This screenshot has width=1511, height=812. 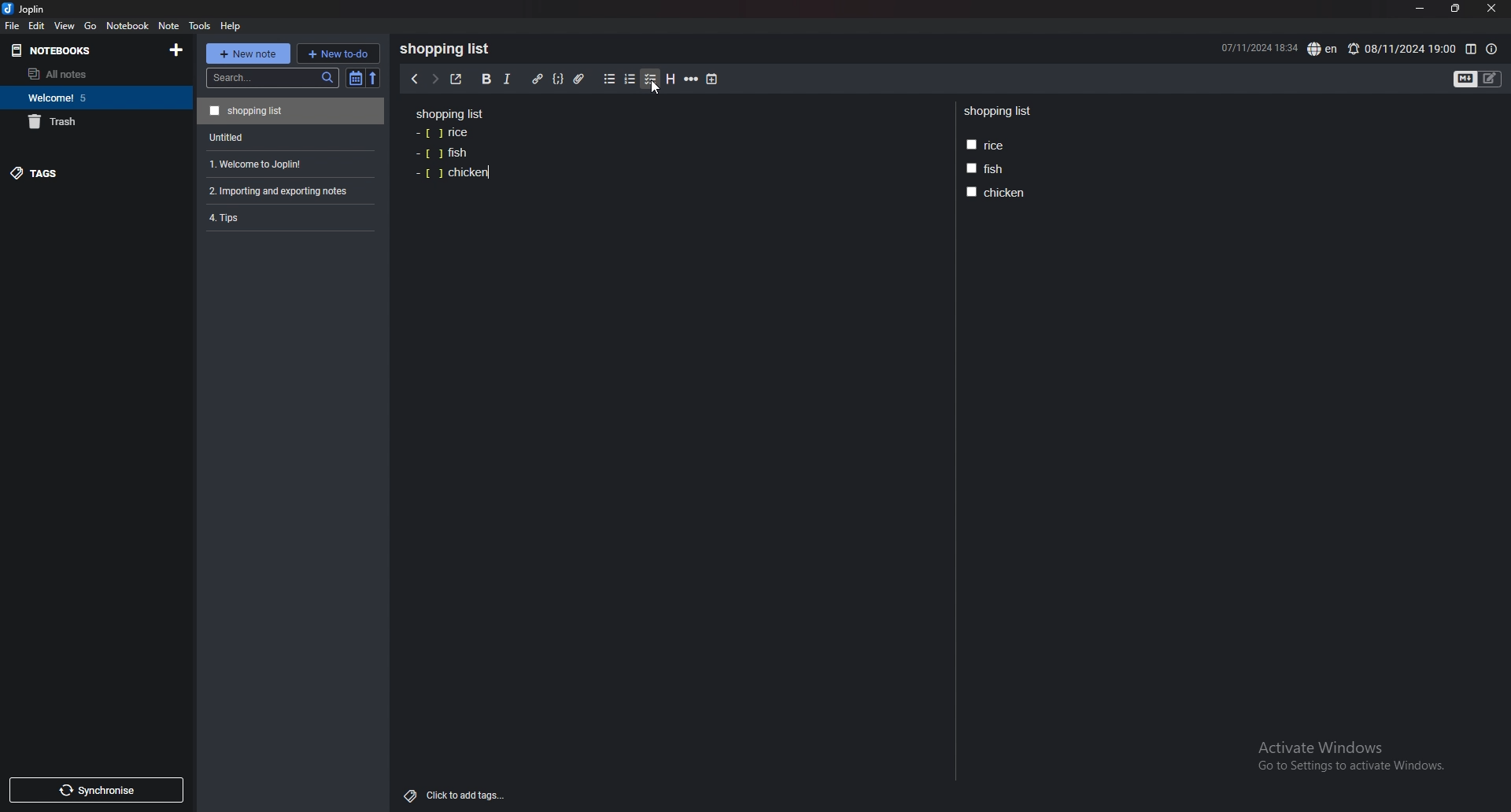 What do you see at coordinates (538, 79) in the screenshot?
I see `hyperlink` at bounding box center [538, 79].